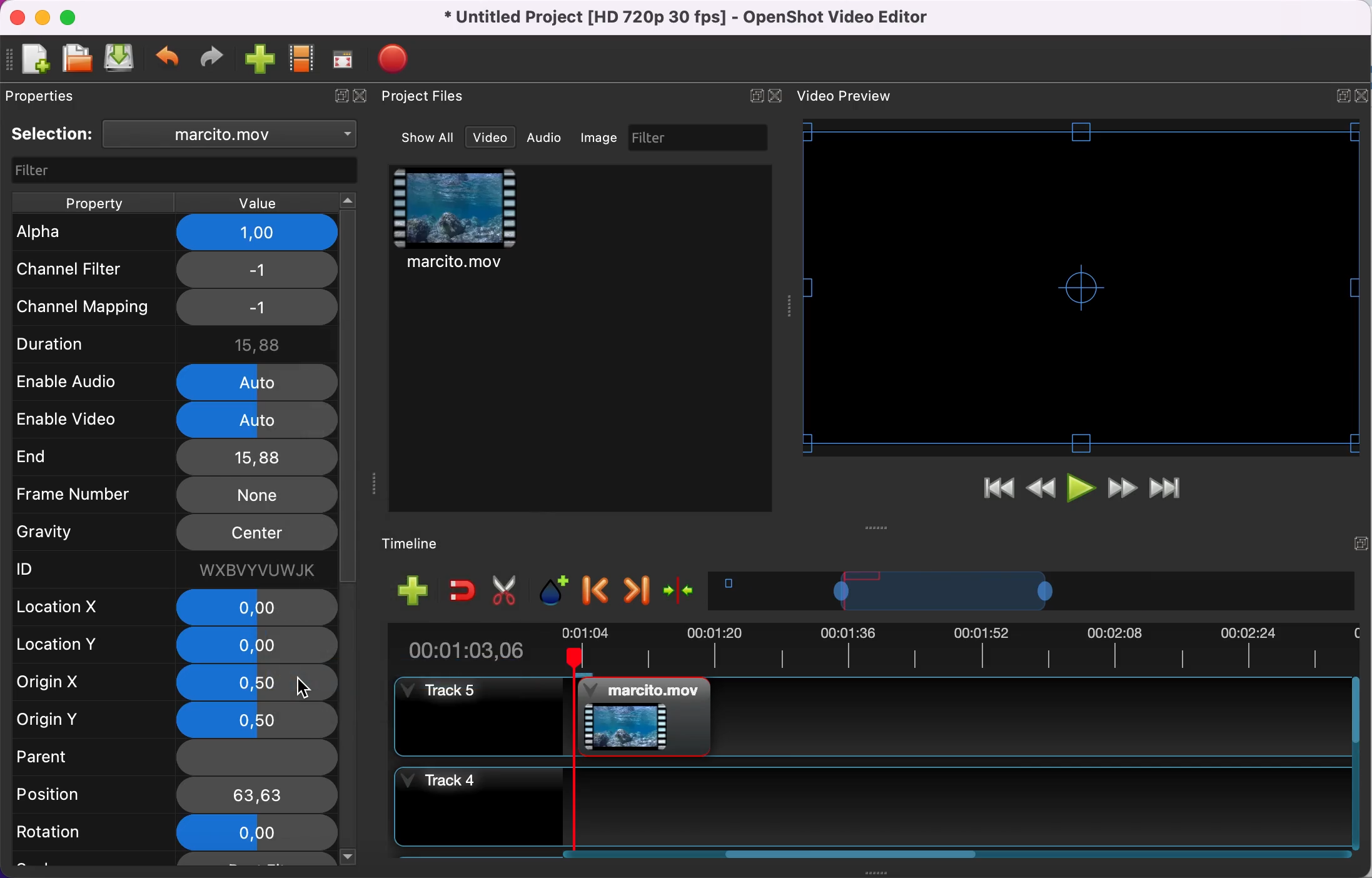  Describe the element at coordinates (1122, 490) in the screenshot. I see `fast forward` at that location.